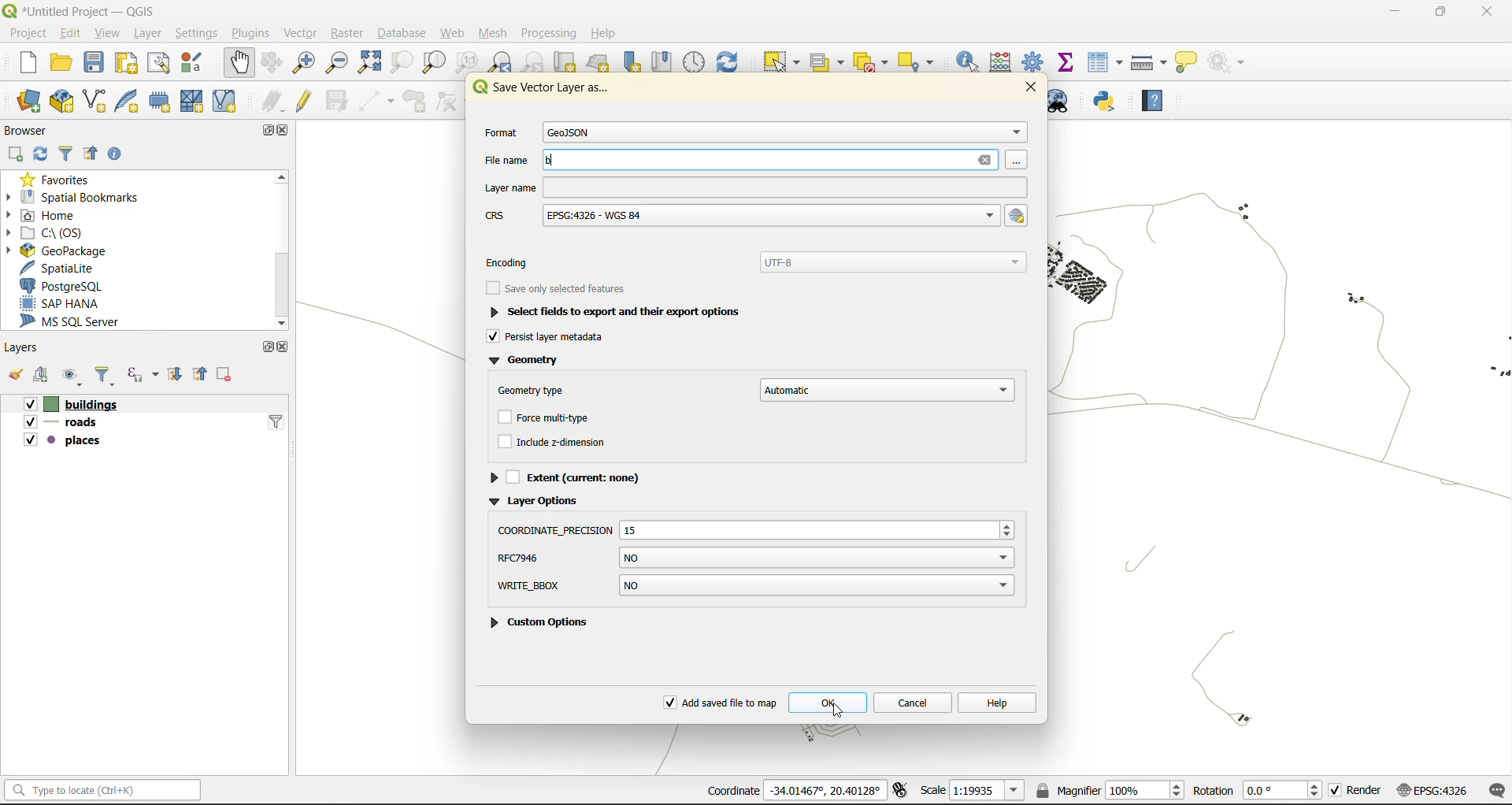 The width and height of the screenshot is (1512, 805). Describe the element at coordinates (280, 250) in the screenshot. I see `scrollbar` at that location.